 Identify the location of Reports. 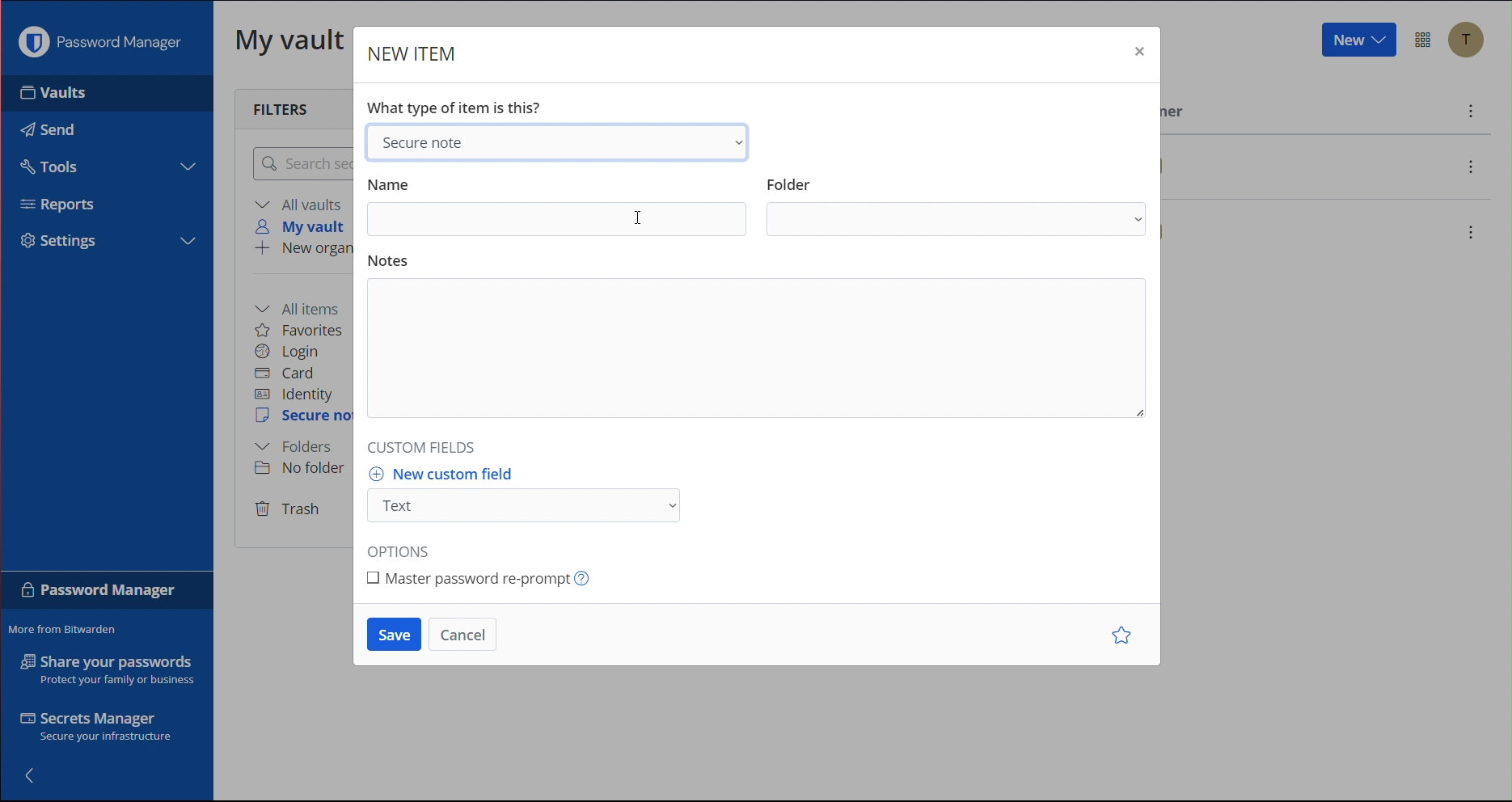
(58, 204).